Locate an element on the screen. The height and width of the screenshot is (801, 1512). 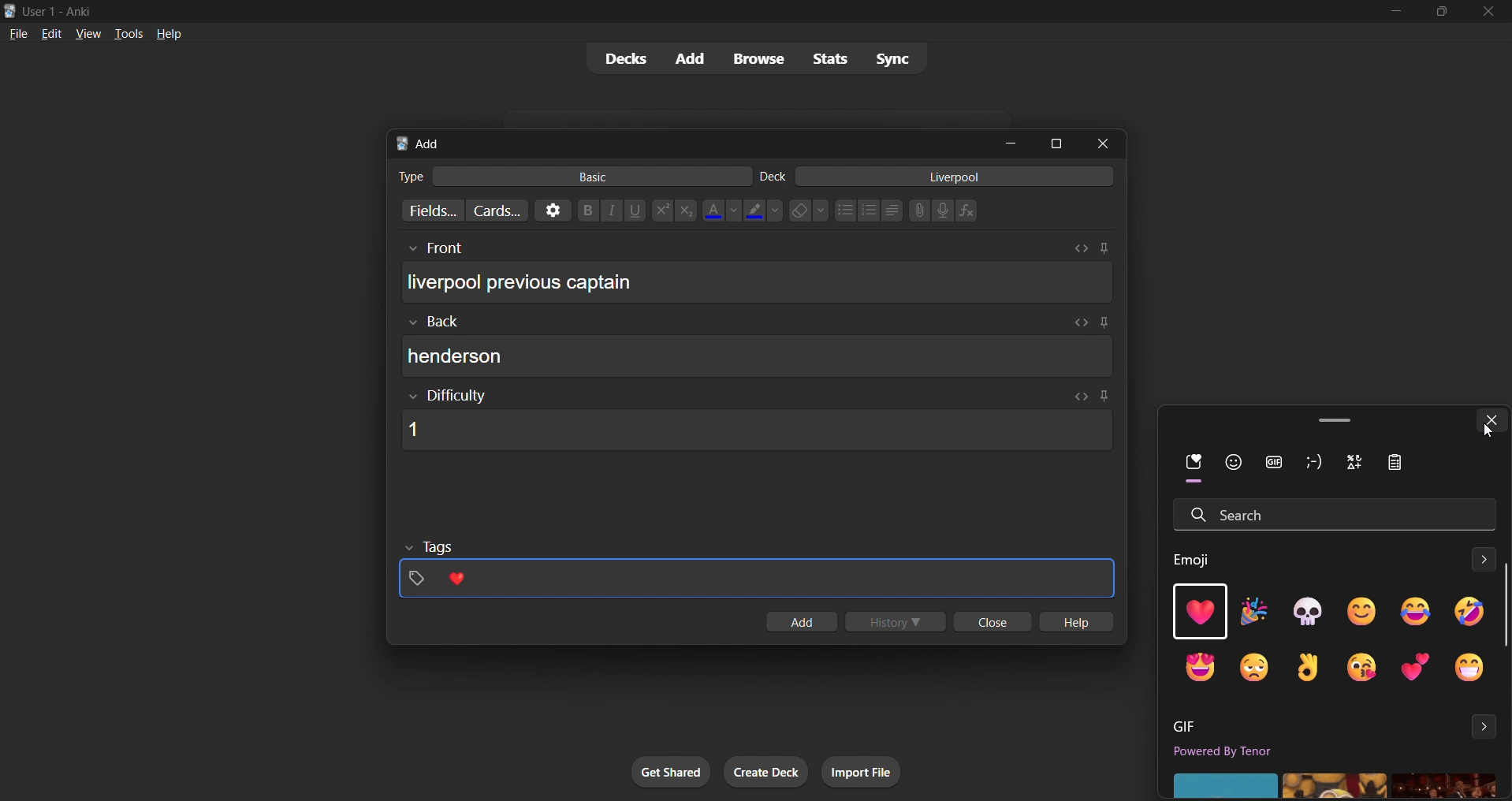
file is located at coordinates (15, 33).